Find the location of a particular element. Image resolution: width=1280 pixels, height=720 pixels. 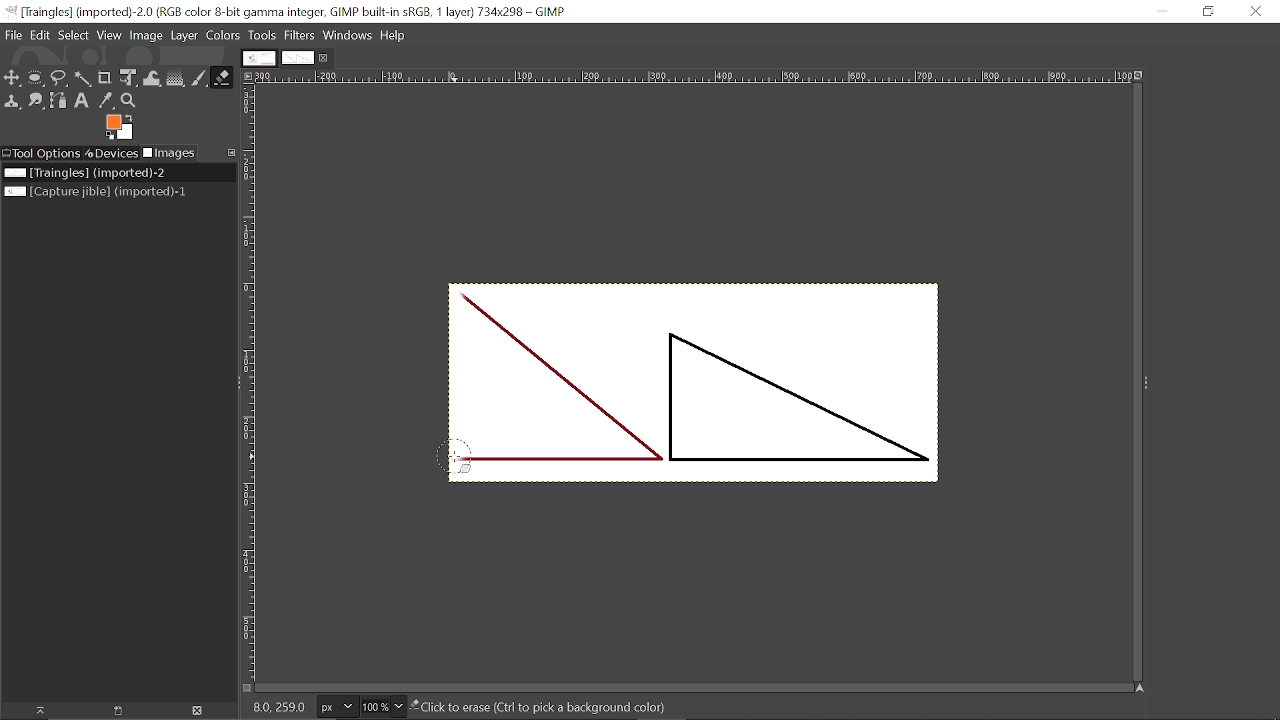

Windows is located at coordinates (347, 35).